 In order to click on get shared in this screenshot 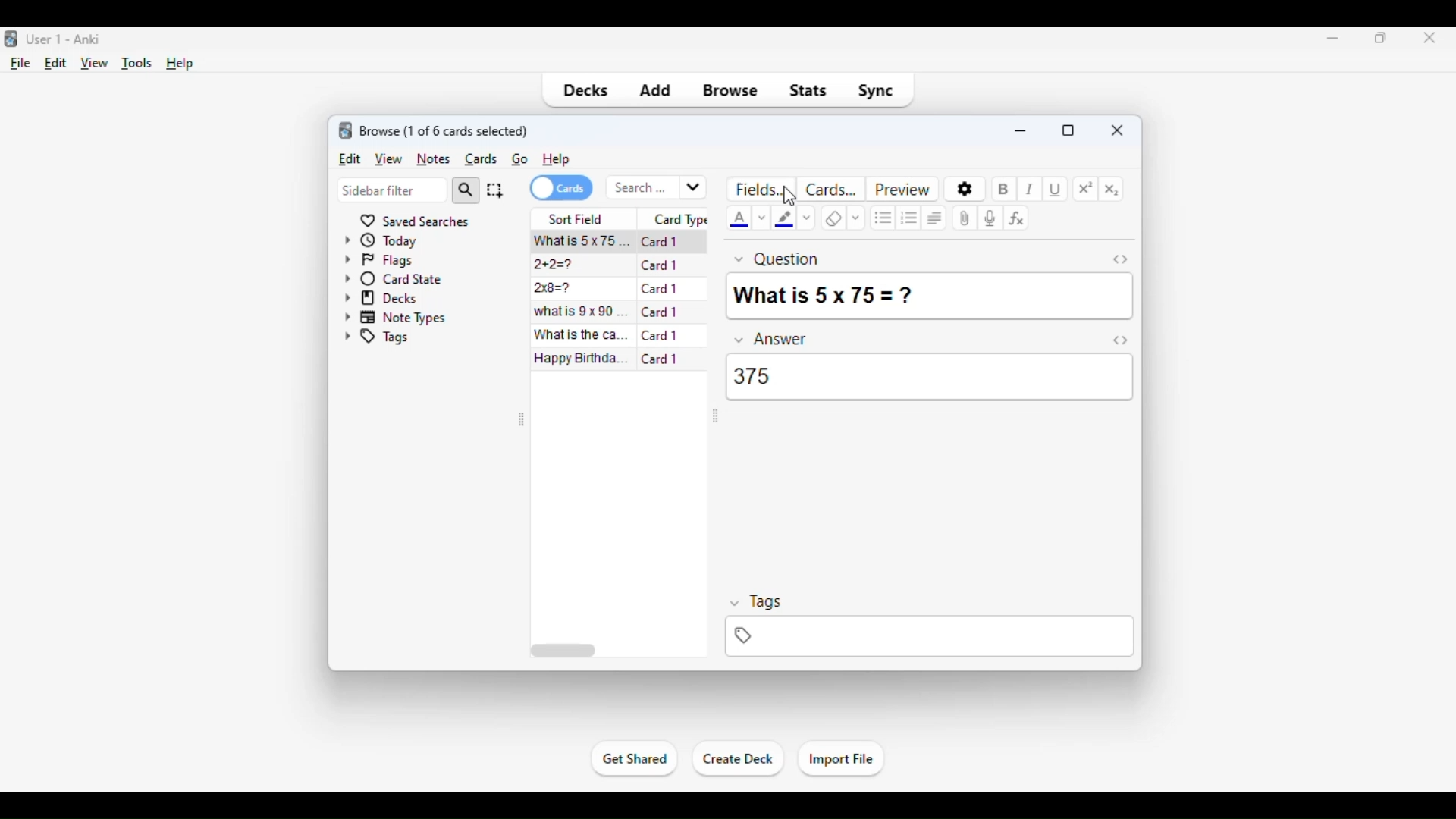, I will do `click(635, 758)`.